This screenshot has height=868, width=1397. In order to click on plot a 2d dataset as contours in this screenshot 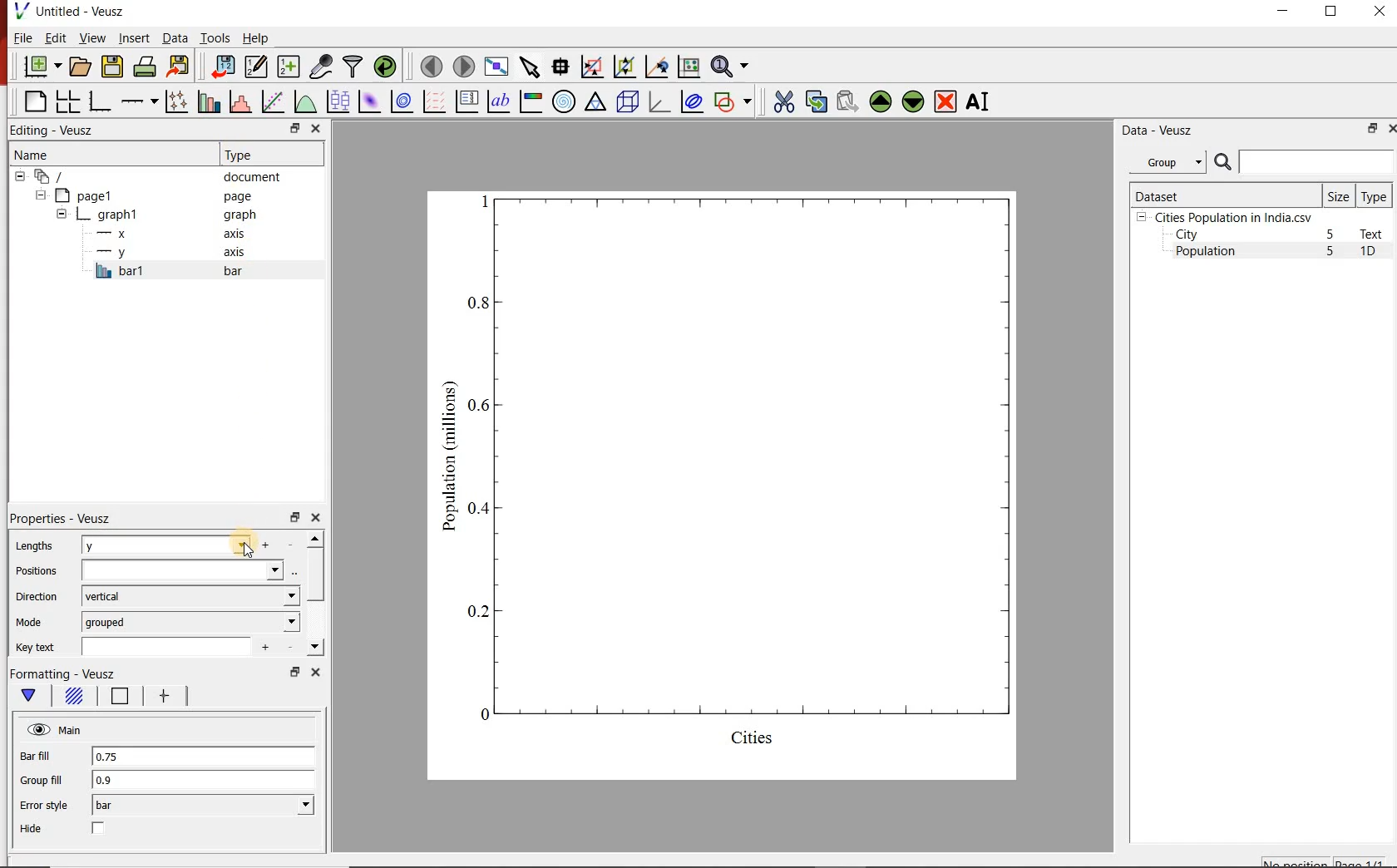, I will do `click(400, 101)`.